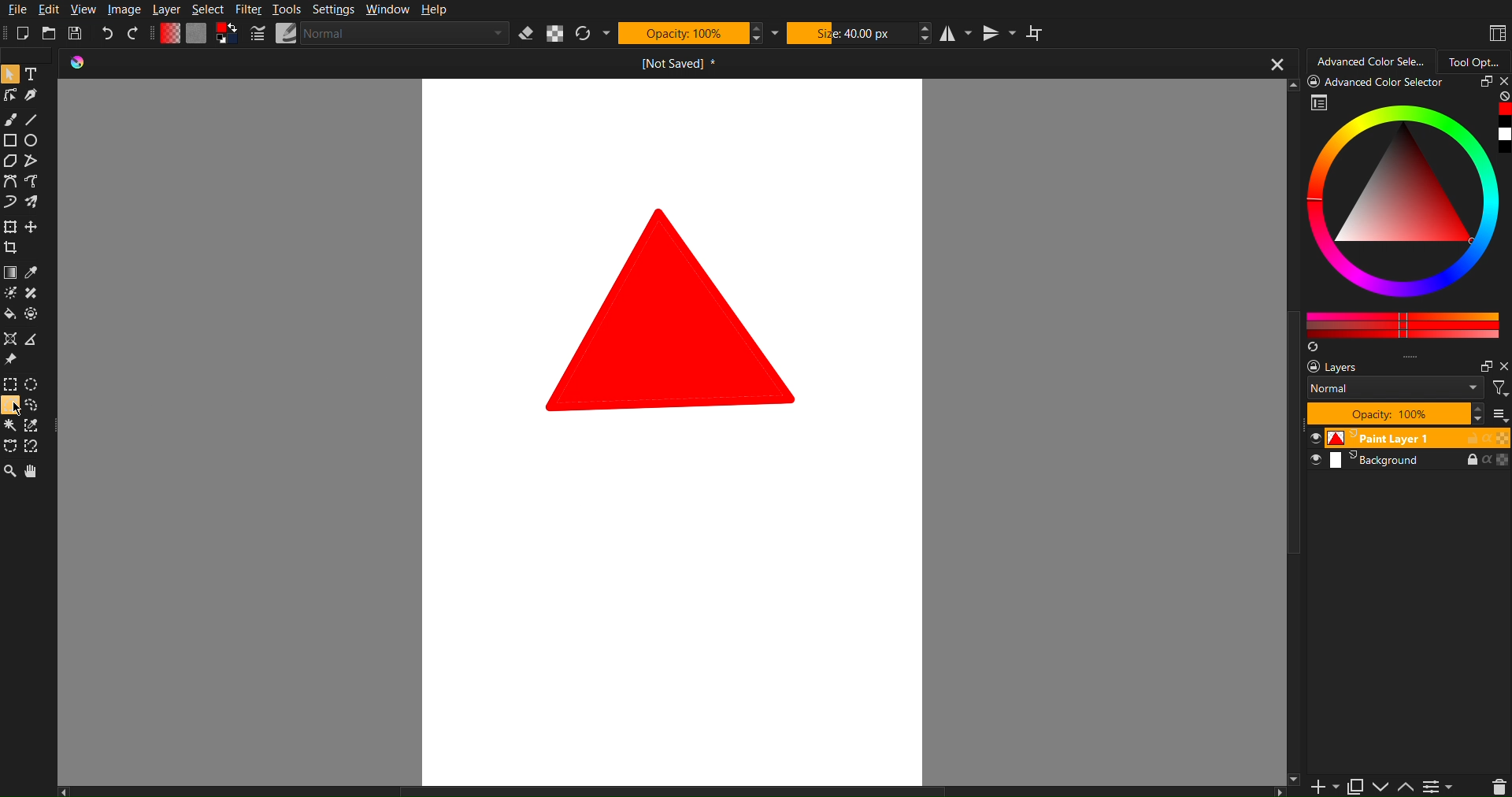 Image resolution: width=1512 pixels, height=797 pixels. Describe the element at coordinates (41, 119) in the screenshot. I see `Line` at that location.